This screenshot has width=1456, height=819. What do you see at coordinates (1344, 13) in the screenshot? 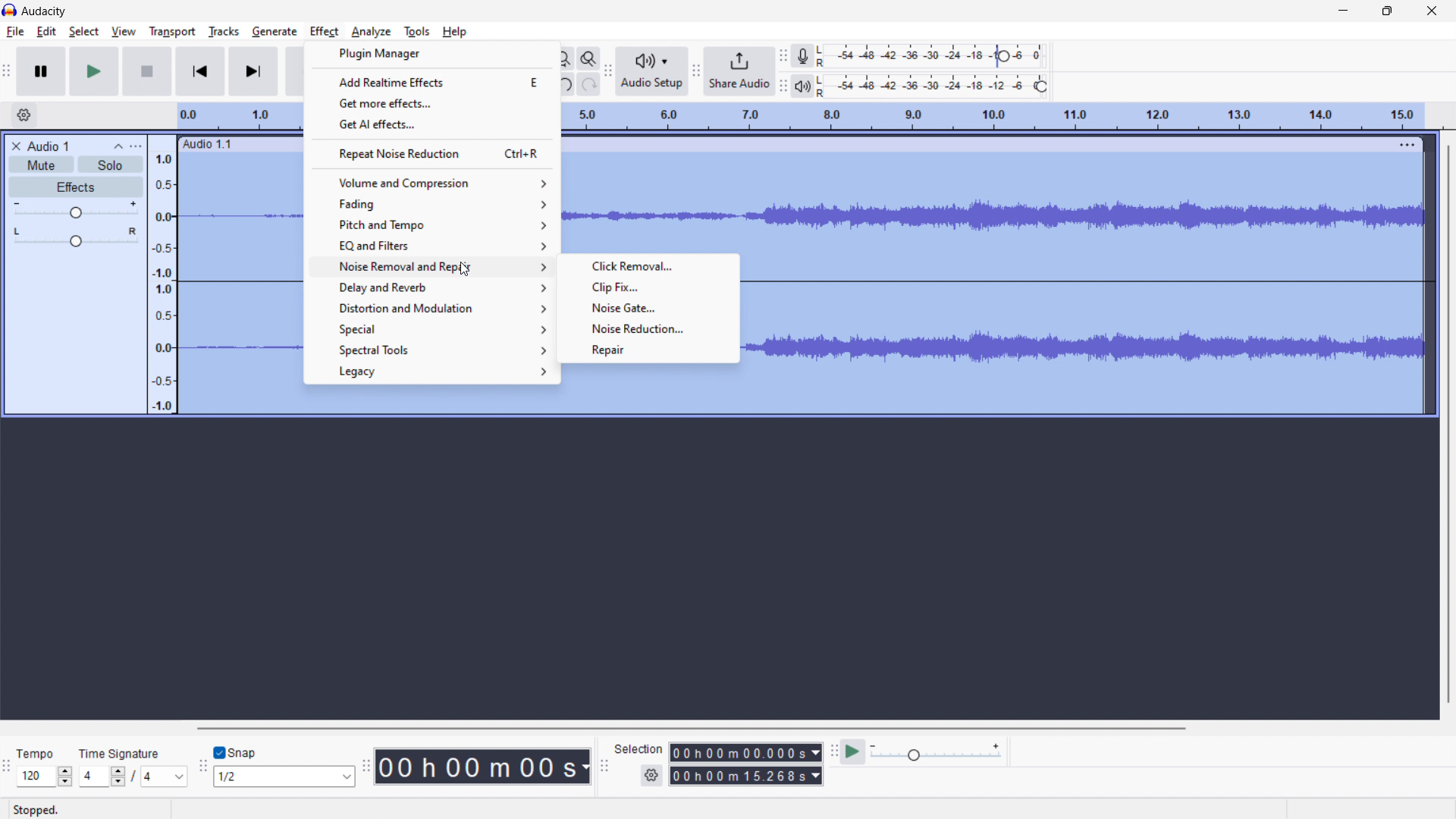
I see `minimize` at bounding box center [1344, 13].